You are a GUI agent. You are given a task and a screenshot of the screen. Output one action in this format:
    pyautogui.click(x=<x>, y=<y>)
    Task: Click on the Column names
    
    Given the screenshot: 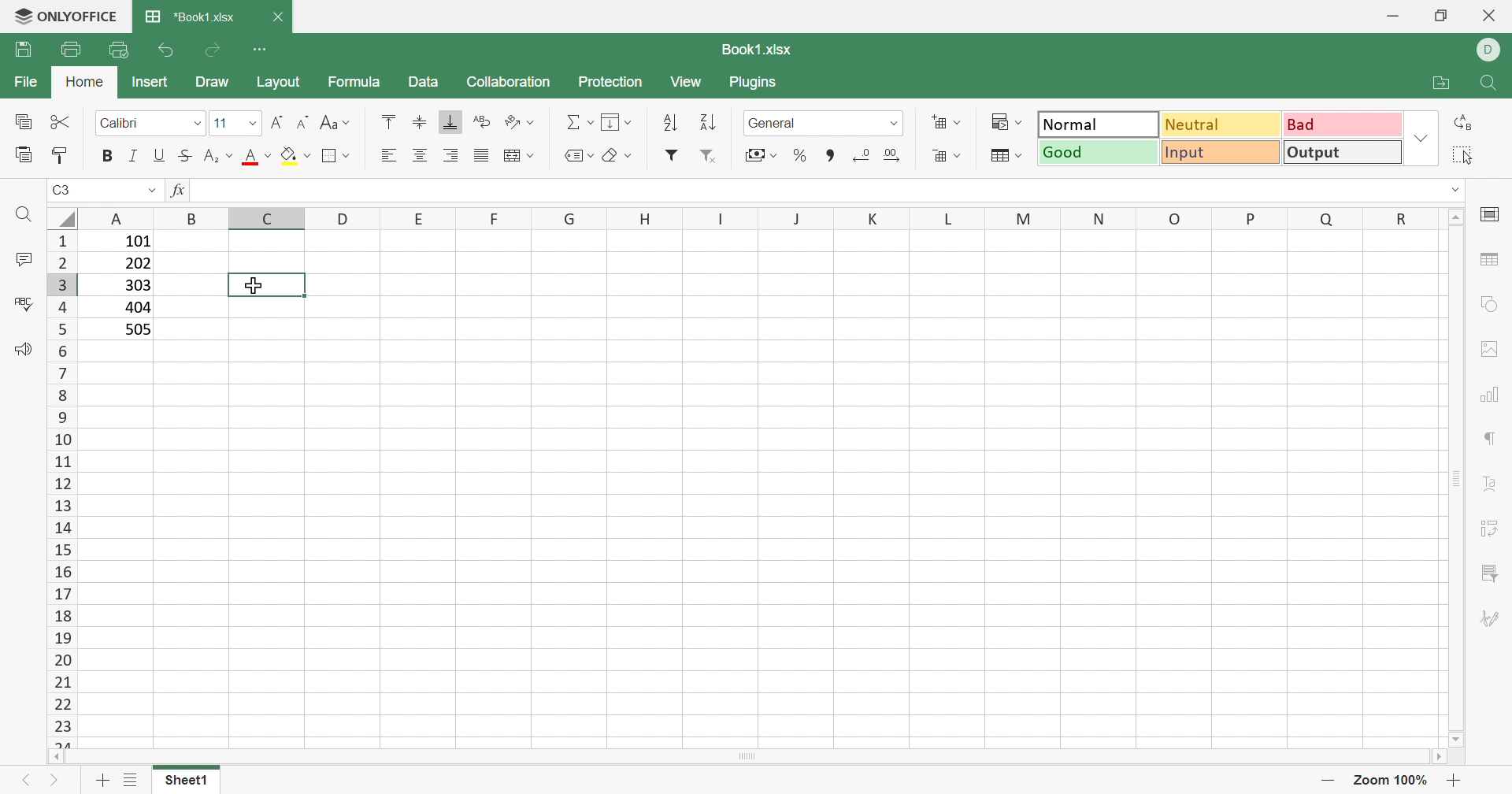 What is the action you would take?
    pyautogui.click(x=758, y=218)
    